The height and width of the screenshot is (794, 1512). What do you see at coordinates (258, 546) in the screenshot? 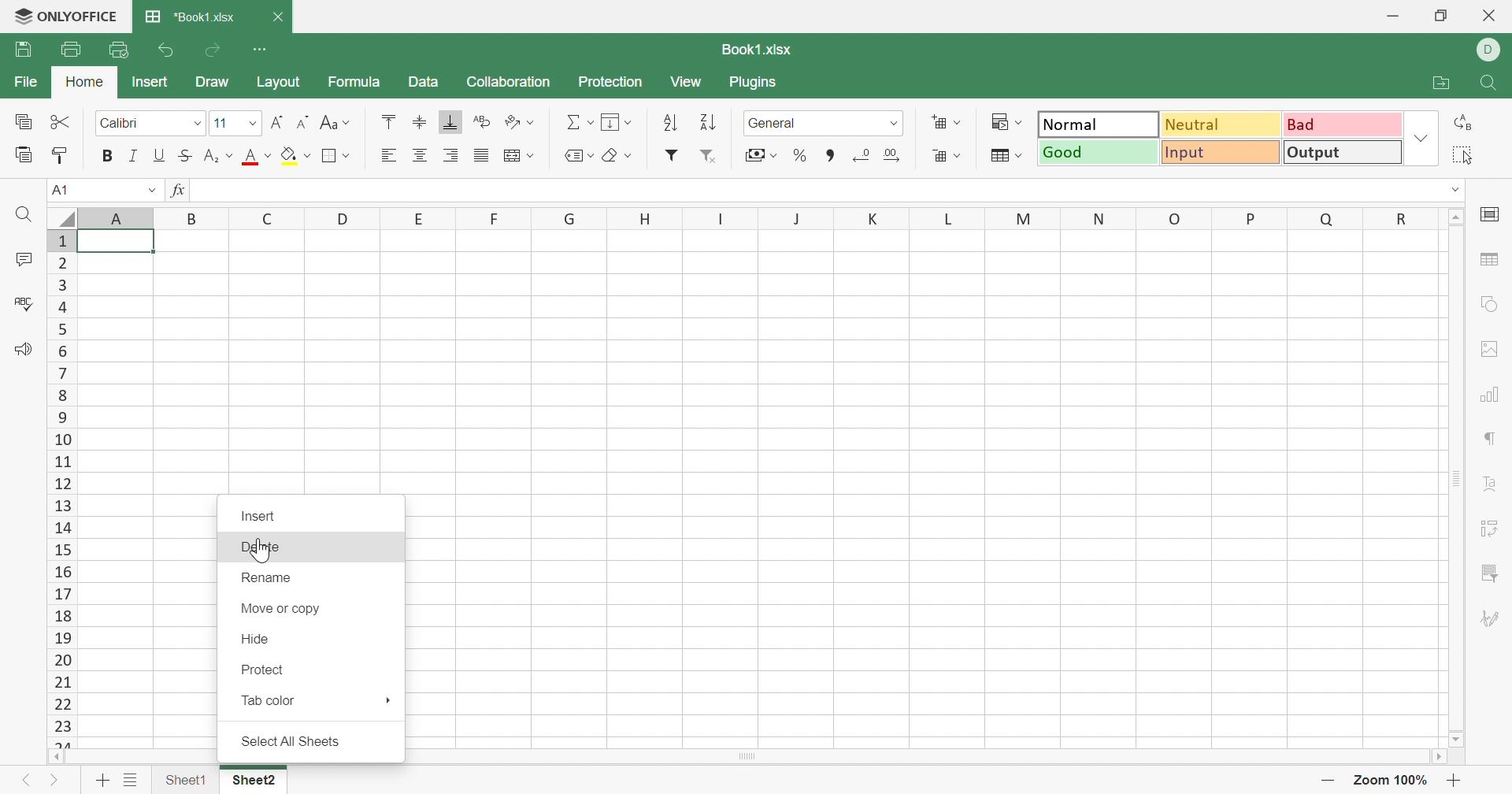
I see `Delete` at bounding box center [258, 546].